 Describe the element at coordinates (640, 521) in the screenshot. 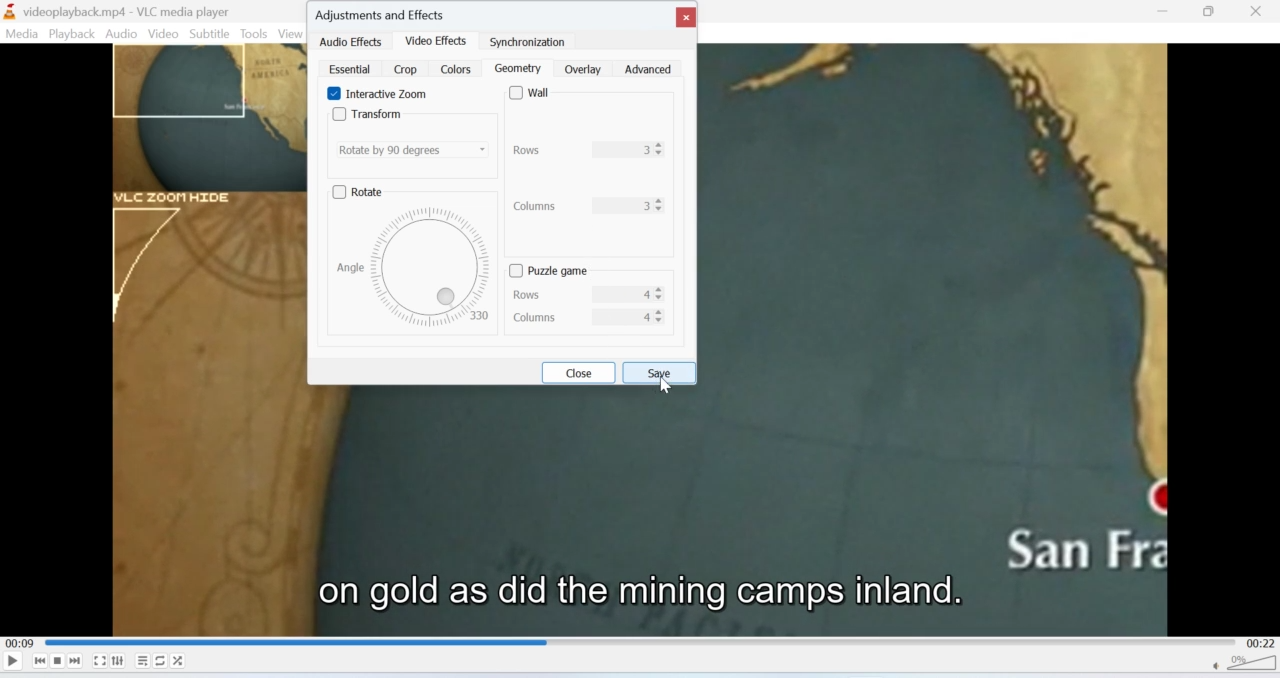

I see `Video playback` at that location.